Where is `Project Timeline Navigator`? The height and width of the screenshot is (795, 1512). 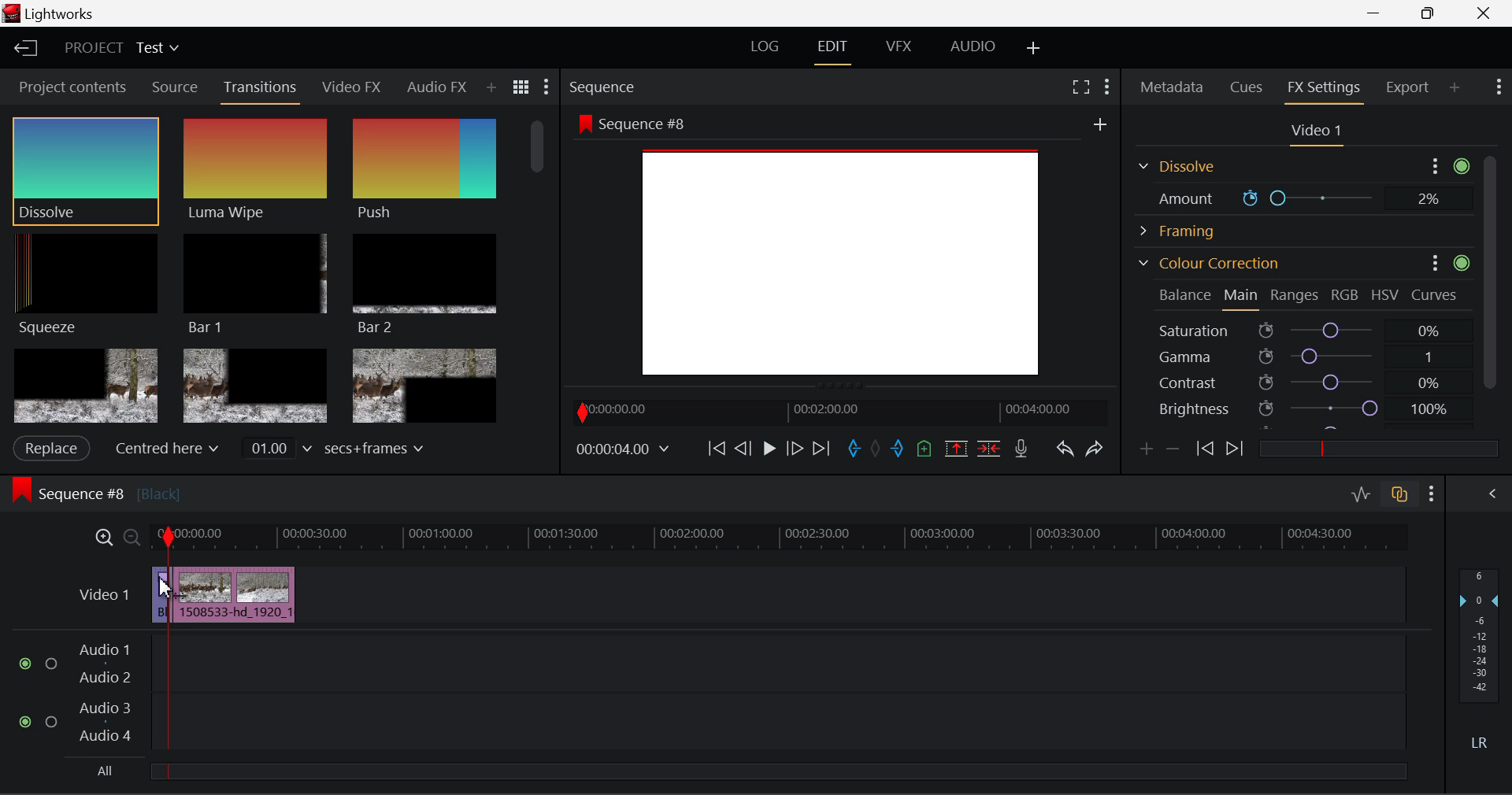
Project Timeline Navigator is located at coordinates (838, 412).